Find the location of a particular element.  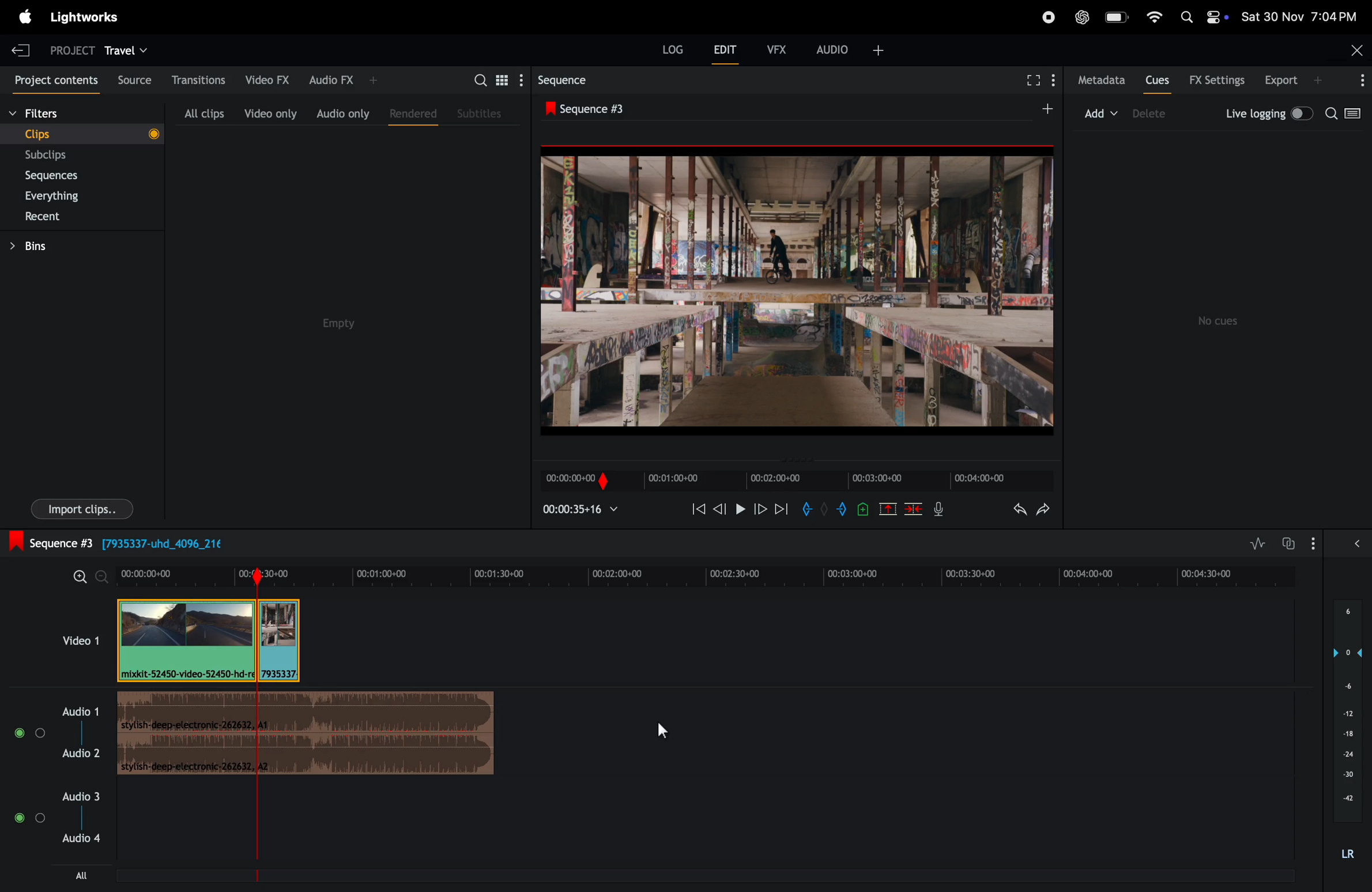

redo is located at coordinates (1047, 508).